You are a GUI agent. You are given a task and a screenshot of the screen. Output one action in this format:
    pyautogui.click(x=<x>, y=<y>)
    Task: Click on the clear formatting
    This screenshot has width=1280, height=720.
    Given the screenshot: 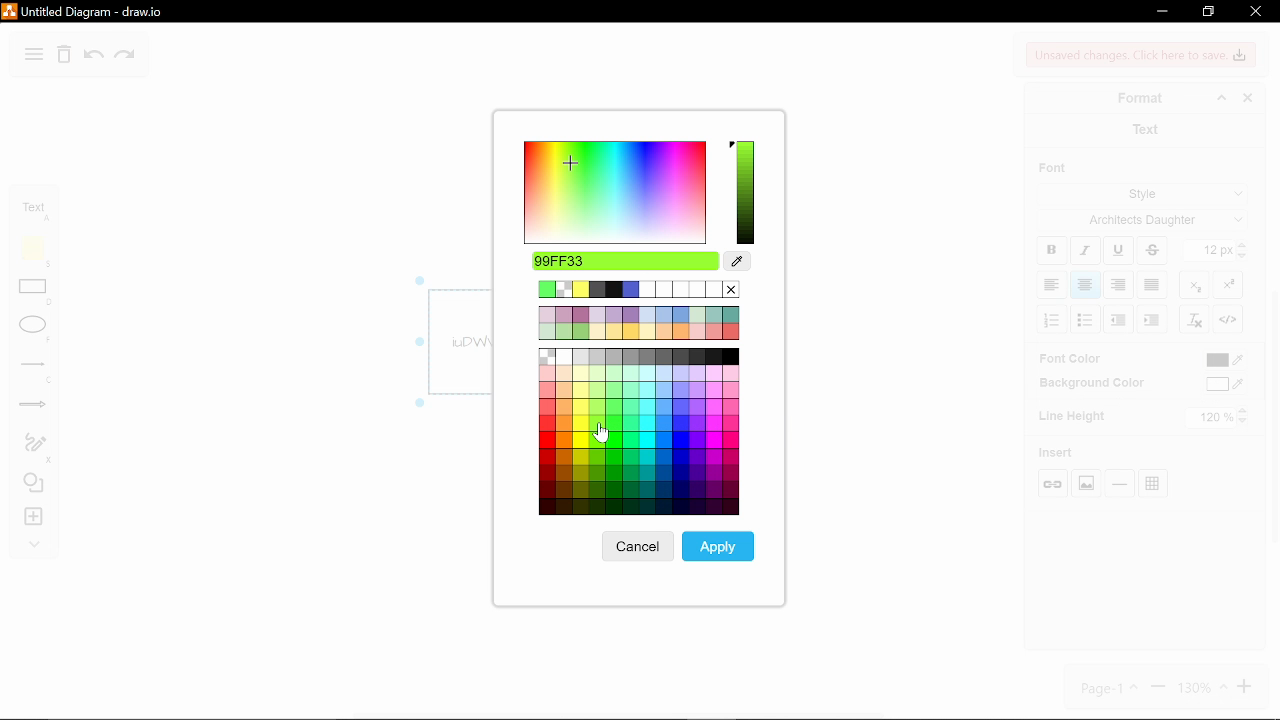 What is the action you would take?
    pyautogui.click(x=1196, y=319)
    